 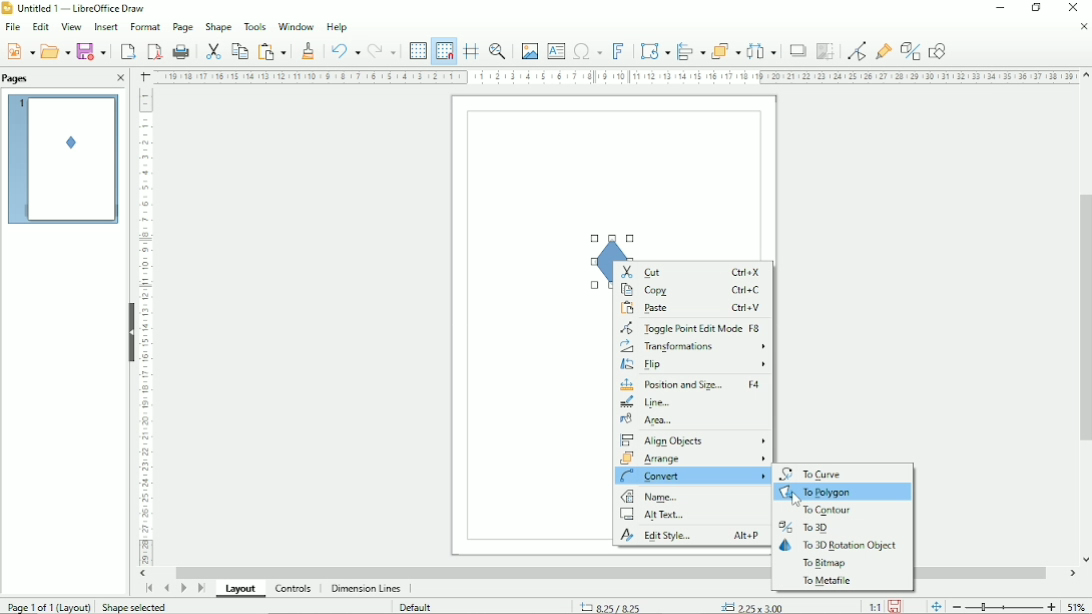 What do you see at coordinates (612, 78) in the screenshot?
I see `Horizontal scale` at bounding box center [612, 78].